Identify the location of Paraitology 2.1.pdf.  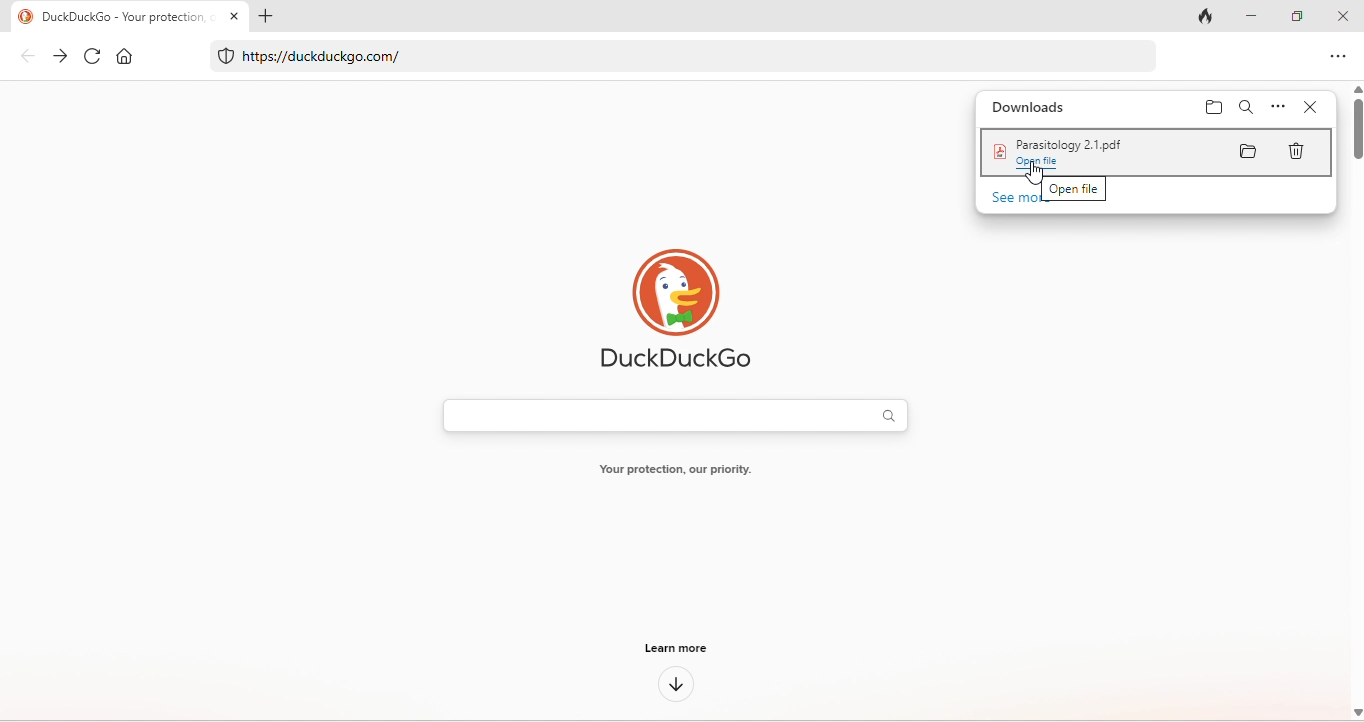
(1098, 147).